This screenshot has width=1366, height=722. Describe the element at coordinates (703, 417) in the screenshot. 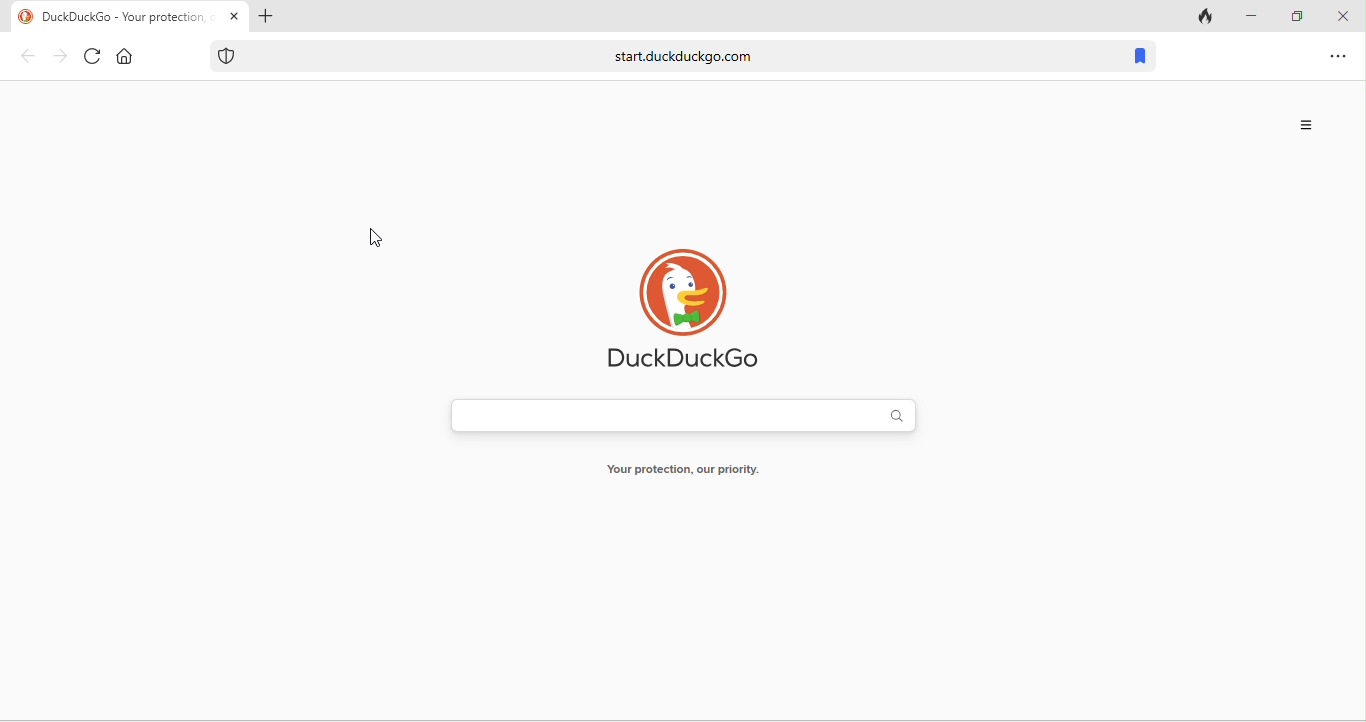

I see `search bar` at that location.